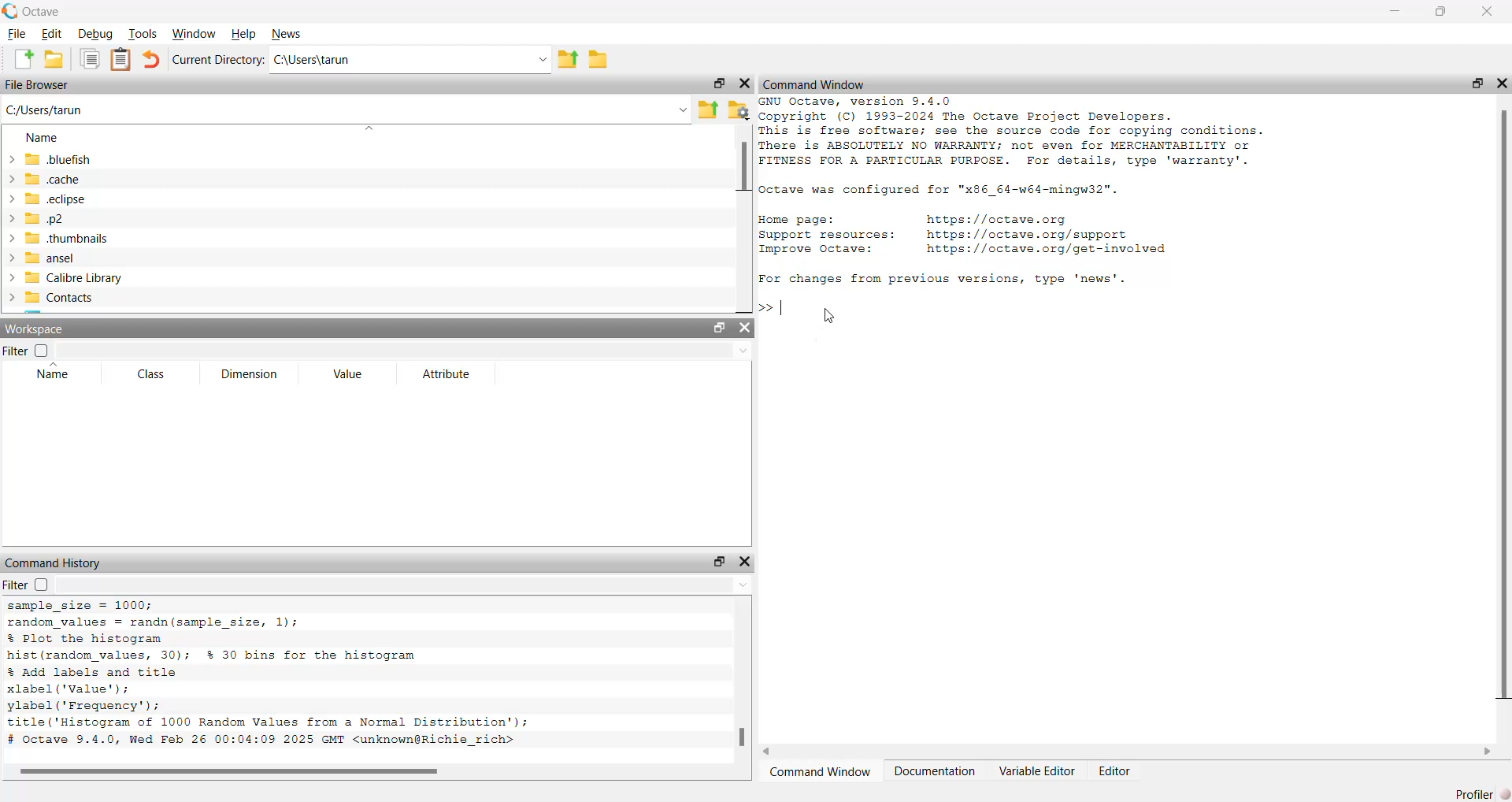 The height and width of the screenshot is (802, 1512). Describe the element at coordinates (743, 84) in the screenshot. I see `close` at that location.